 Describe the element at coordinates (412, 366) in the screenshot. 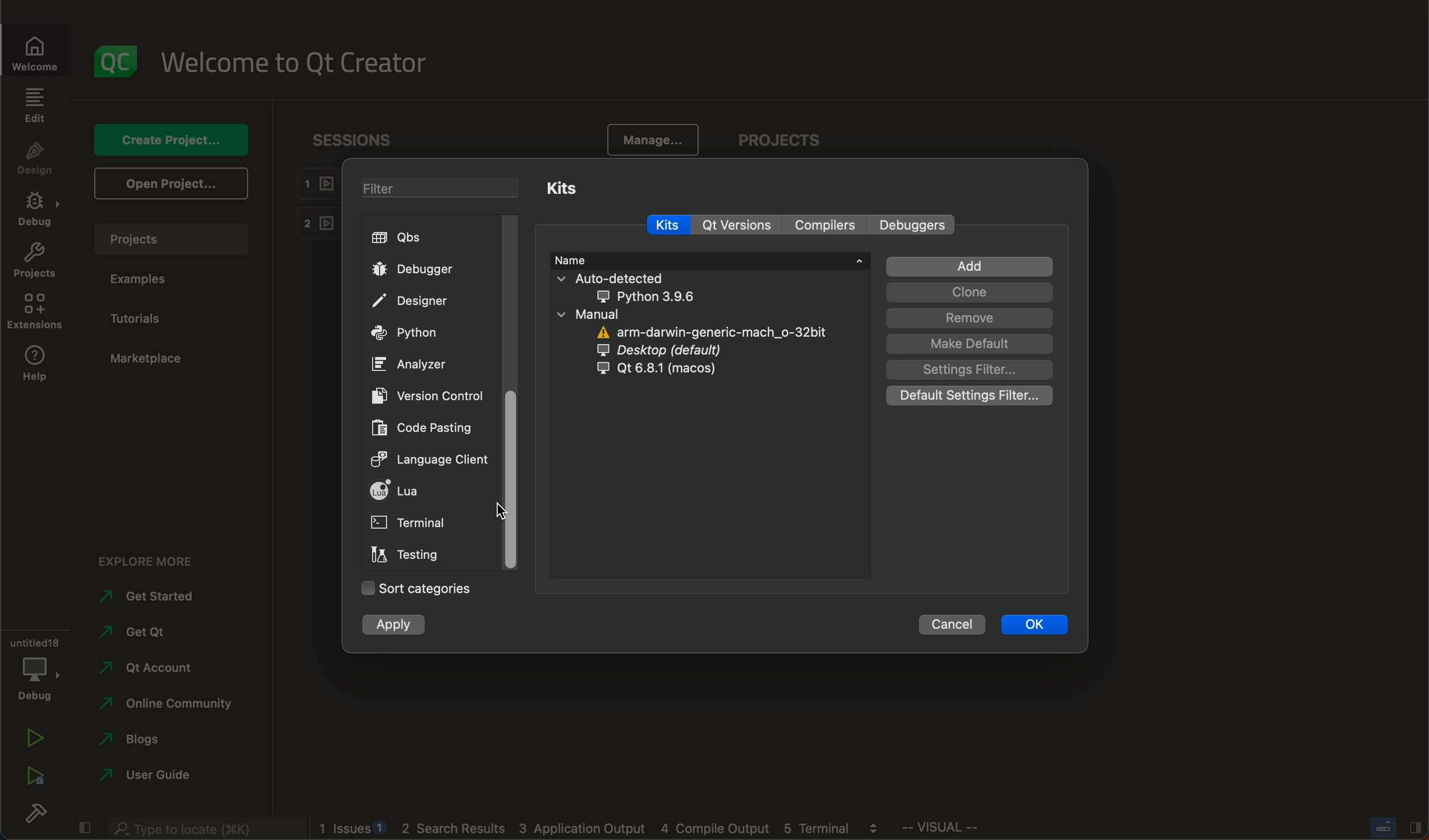

I see `analyzer` at that location.